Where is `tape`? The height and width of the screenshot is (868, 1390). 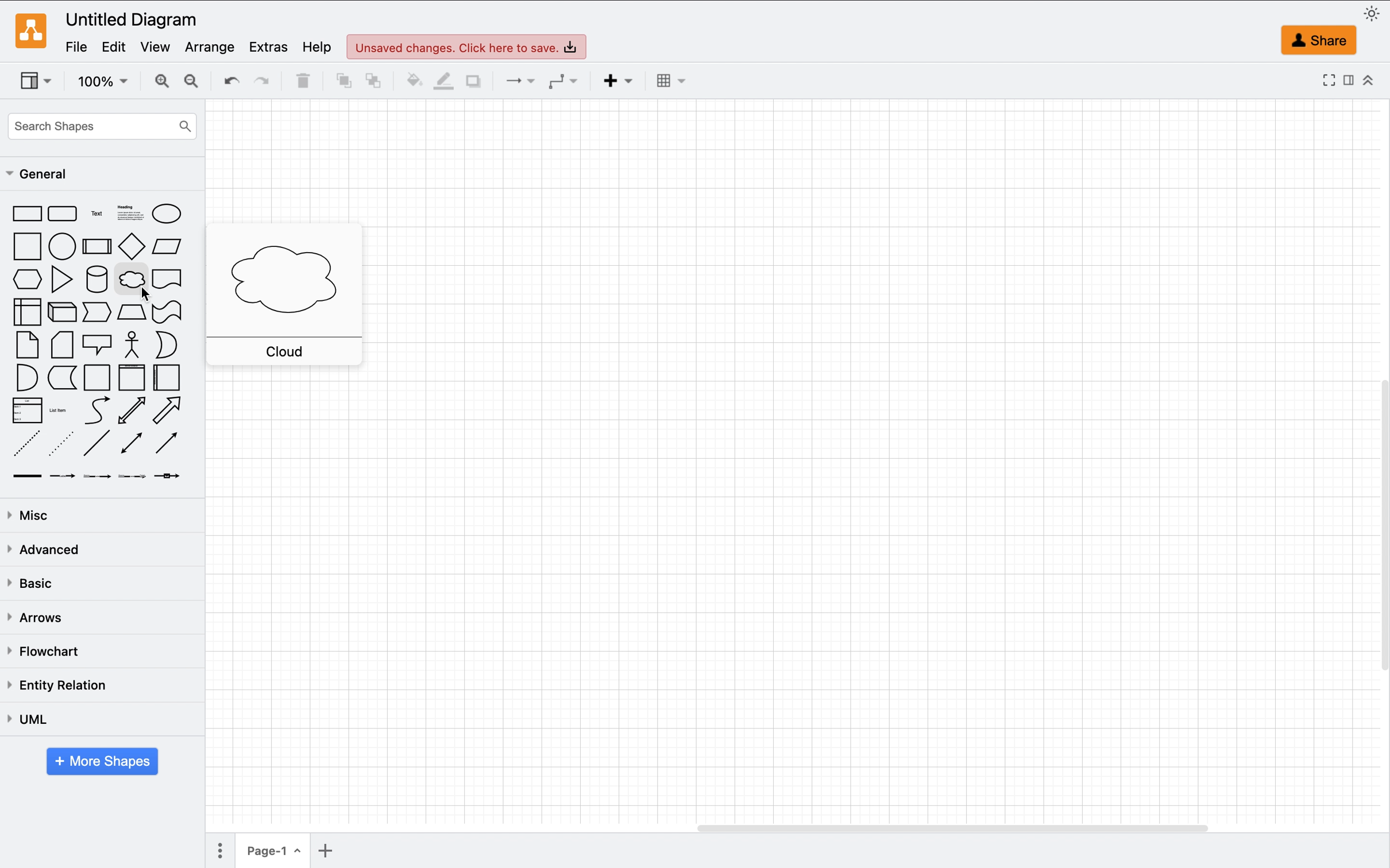
tape is located at coordinates (167, 312).